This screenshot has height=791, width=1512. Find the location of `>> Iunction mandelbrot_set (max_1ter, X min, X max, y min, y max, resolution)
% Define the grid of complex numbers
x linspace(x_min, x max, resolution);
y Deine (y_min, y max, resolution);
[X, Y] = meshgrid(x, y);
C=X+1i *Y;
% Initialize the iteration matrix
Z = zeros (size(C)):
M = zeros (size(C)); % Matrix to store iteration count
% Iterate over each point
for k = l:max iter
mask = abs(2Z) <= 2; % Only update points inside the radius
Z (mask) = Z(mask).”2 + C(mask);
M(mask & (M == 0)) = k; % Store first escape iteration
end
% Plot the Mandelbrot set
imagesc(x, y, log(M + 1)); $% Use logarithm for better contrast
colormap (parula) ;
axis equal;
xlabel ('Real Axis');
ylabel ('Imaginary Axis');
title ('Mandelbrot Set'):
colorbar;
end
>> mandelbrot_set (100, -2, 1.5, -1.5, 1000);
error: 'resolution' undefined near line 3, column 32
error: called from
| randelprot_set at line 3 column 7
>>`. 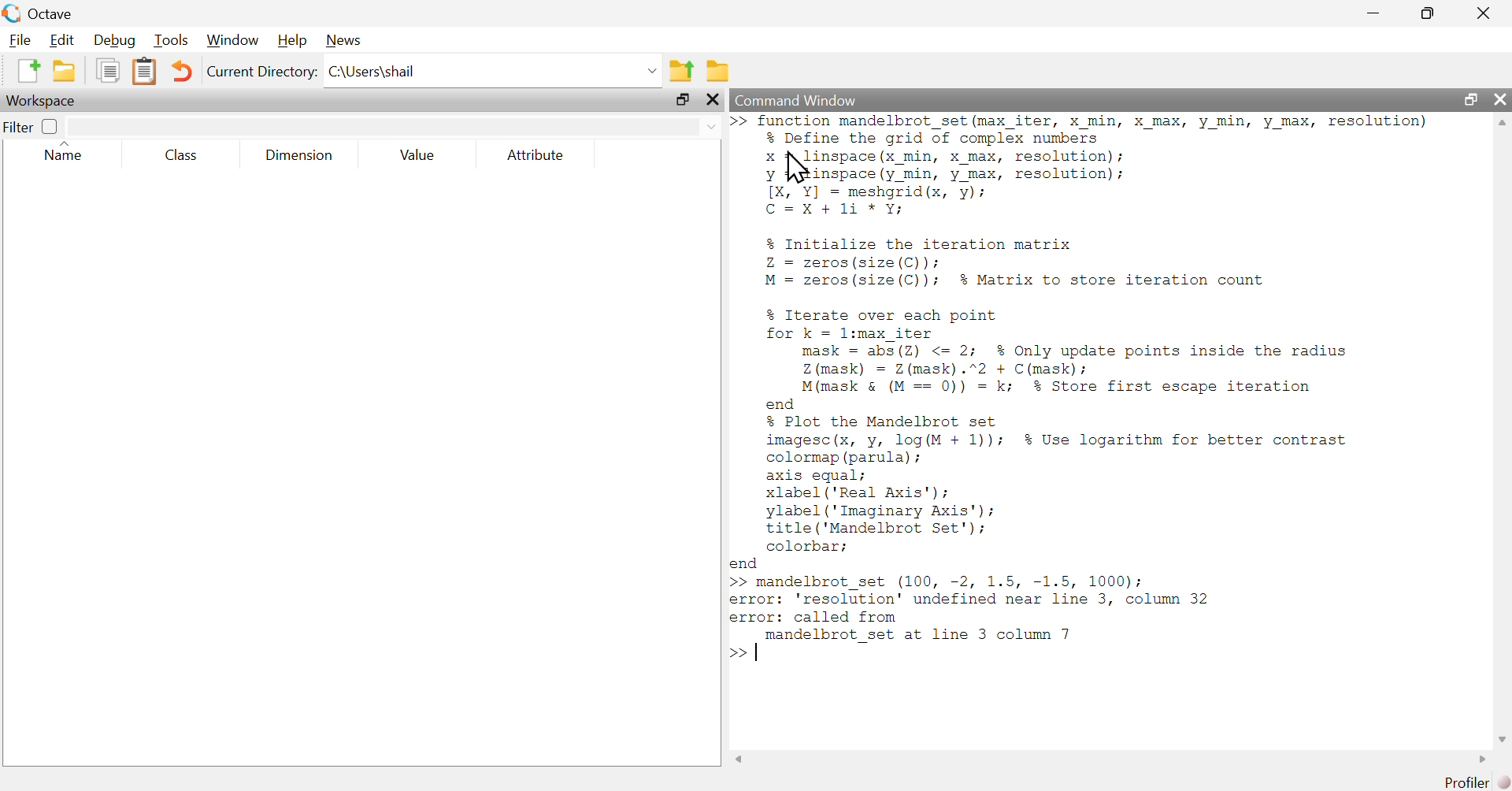

>> Iunction mandelbrot_set (max_1ter, X min, X max, y min, y max, resolution)
% Define the grid of complex numbers
x linspace(x_min, x max, resolution);
y Deine (y_min, y max, resolution);
[X, Y] = meshgrid(x, y);
C=X+1i *Y;
% Initialize the iteration matrix
Z = zeros (size(C)):
M = zeros (size(C)); % Matrix to store iteration count
% Iterate over each point
for k = l:max iter
mask = abs(2Z) <= 2; % Only update points inside the radius
Z (mask) = Z(mask).”2 + C(mask);
M(mask & (M == 0)) = k; % Store first escape iteration
end
% Plot the Mandelbrot set
imagesc(x, y, log(M + 1)); $% Use logarithm for better contrast
colormap (parula) ;
axis equal;
xlabel ('Real Axis');
ylabel ('Imaginary Axis');
title ('Mandelbrot Set'):
colorbar;
end
>> mandelbrot_set (100, -2, 1.5, -1.5, 1000);
error: 'resolution' undefined near line 3, column 32
error: called from
| randelprot_set at line 3 column 7
>> is located at coordinates (1084, 387).